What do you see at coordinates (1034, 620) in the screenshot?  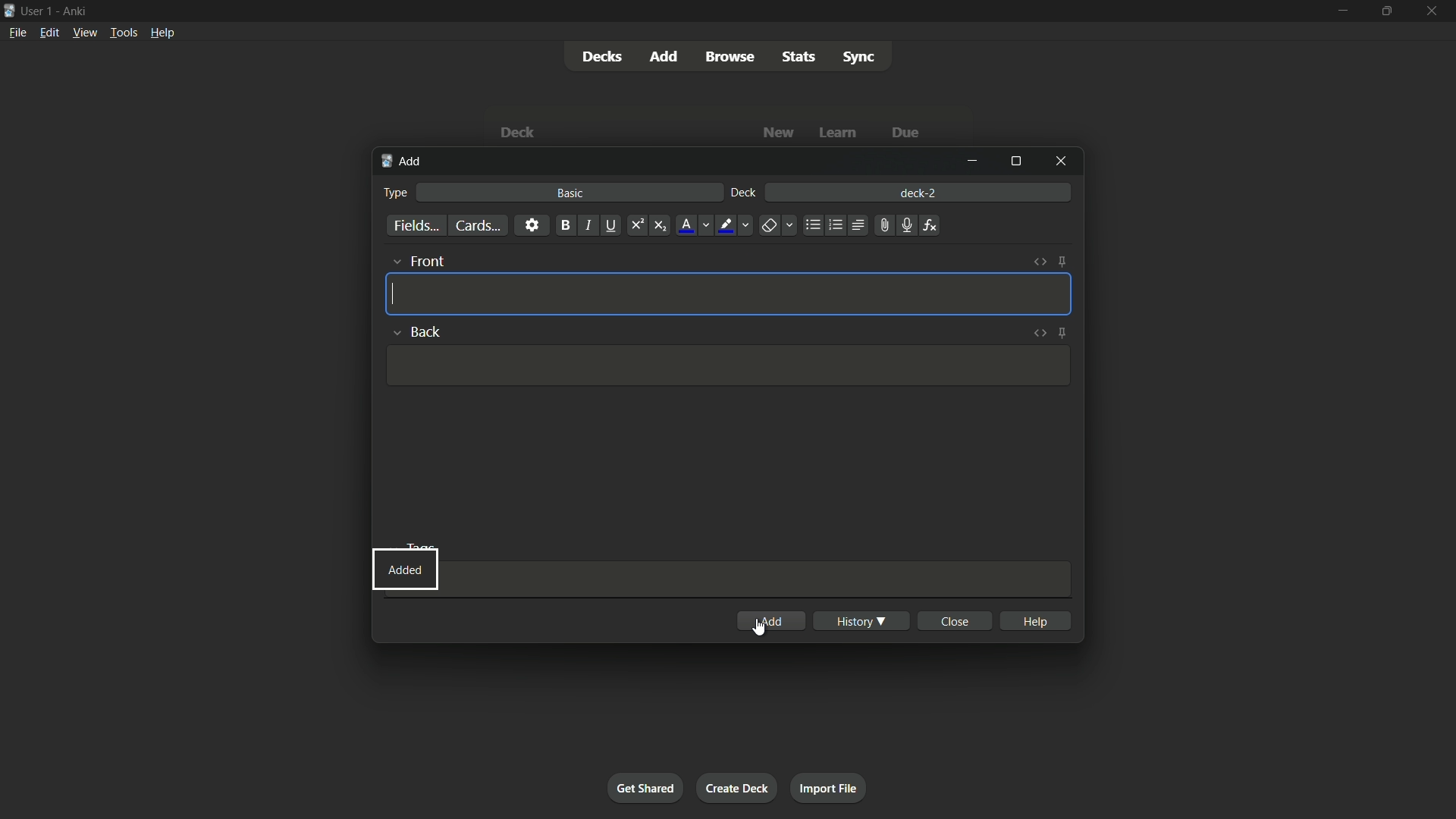 I see `help` at bounding box center [1034, 620].